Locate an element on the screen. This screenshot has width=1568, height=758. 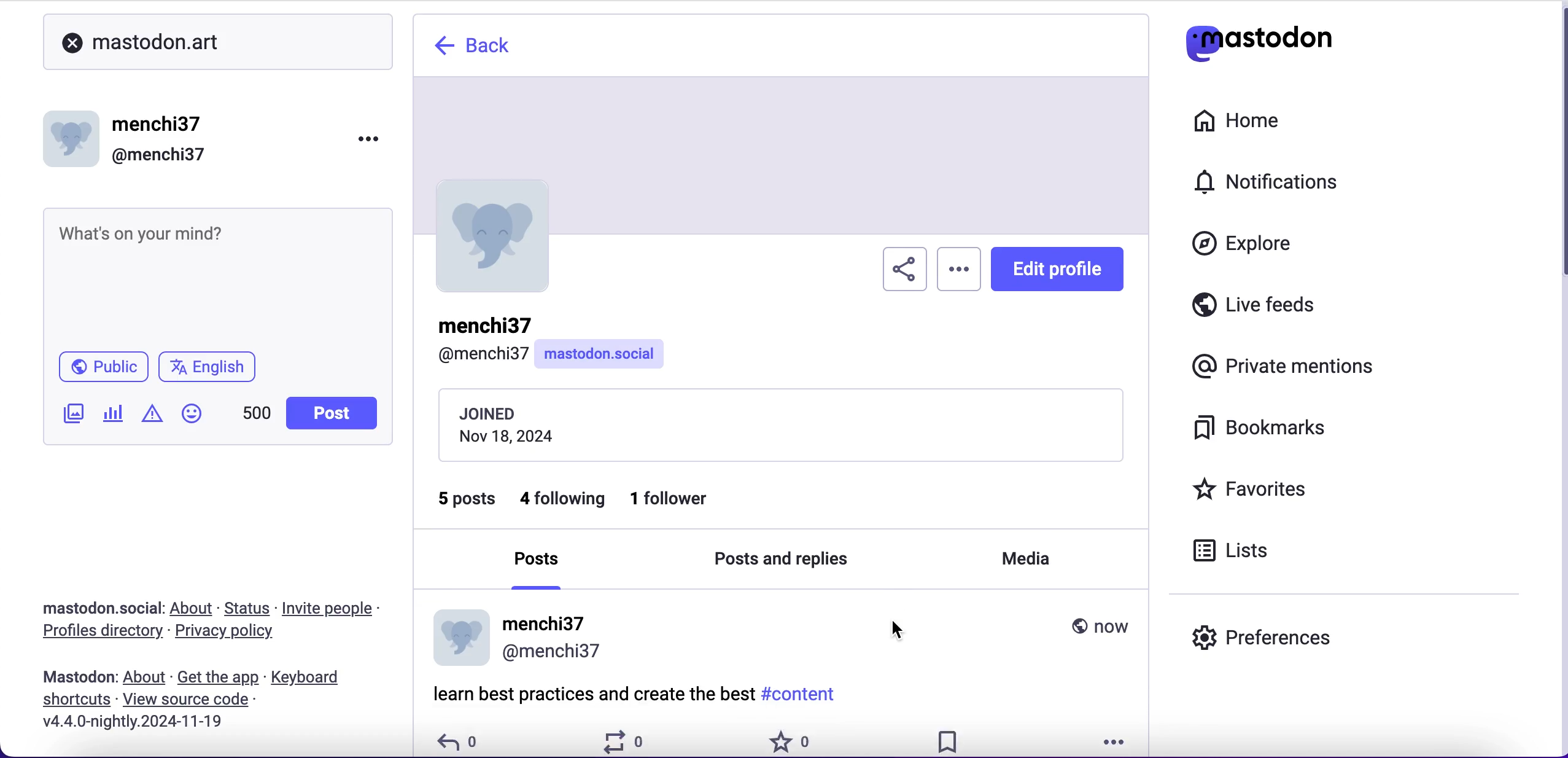
 0 replies is located at coordinates (460, 740).